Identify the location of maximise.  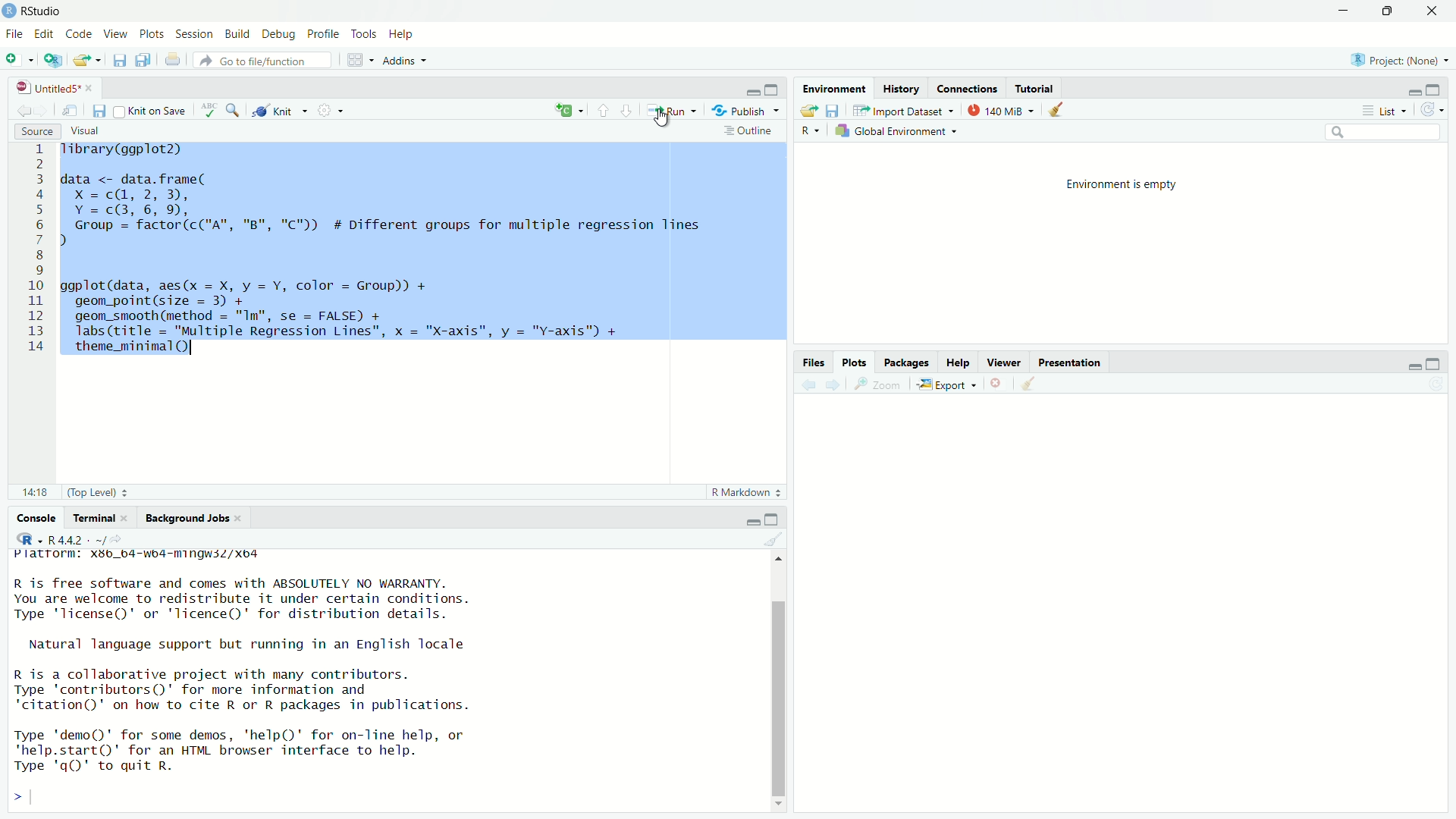
(780, 517).